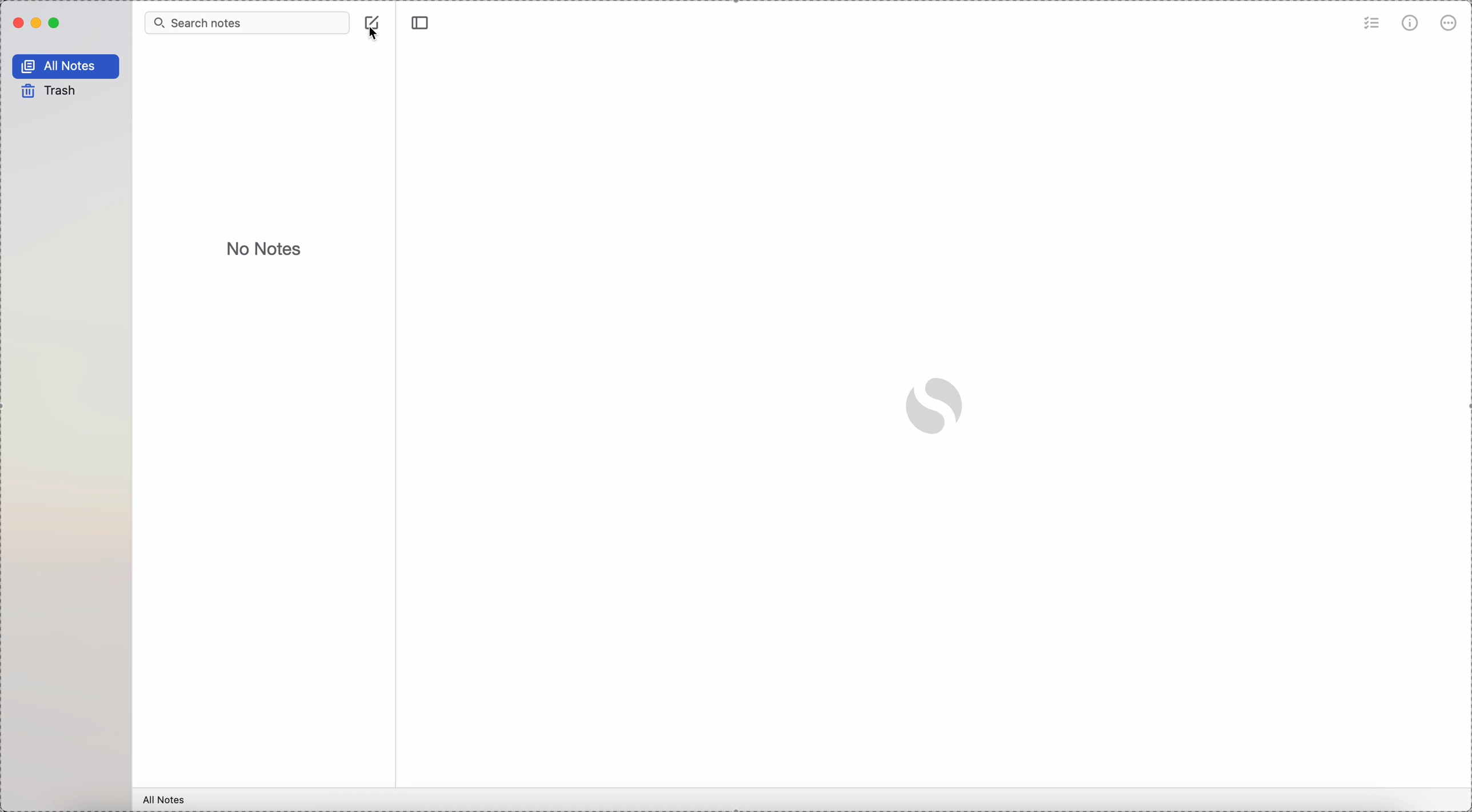 The width and height of the screenshot is (1472, 812). What do you see at coordinates (932, 406) in the screenshot?
I see `Simplenote logo` at bounding box center [932, 406].